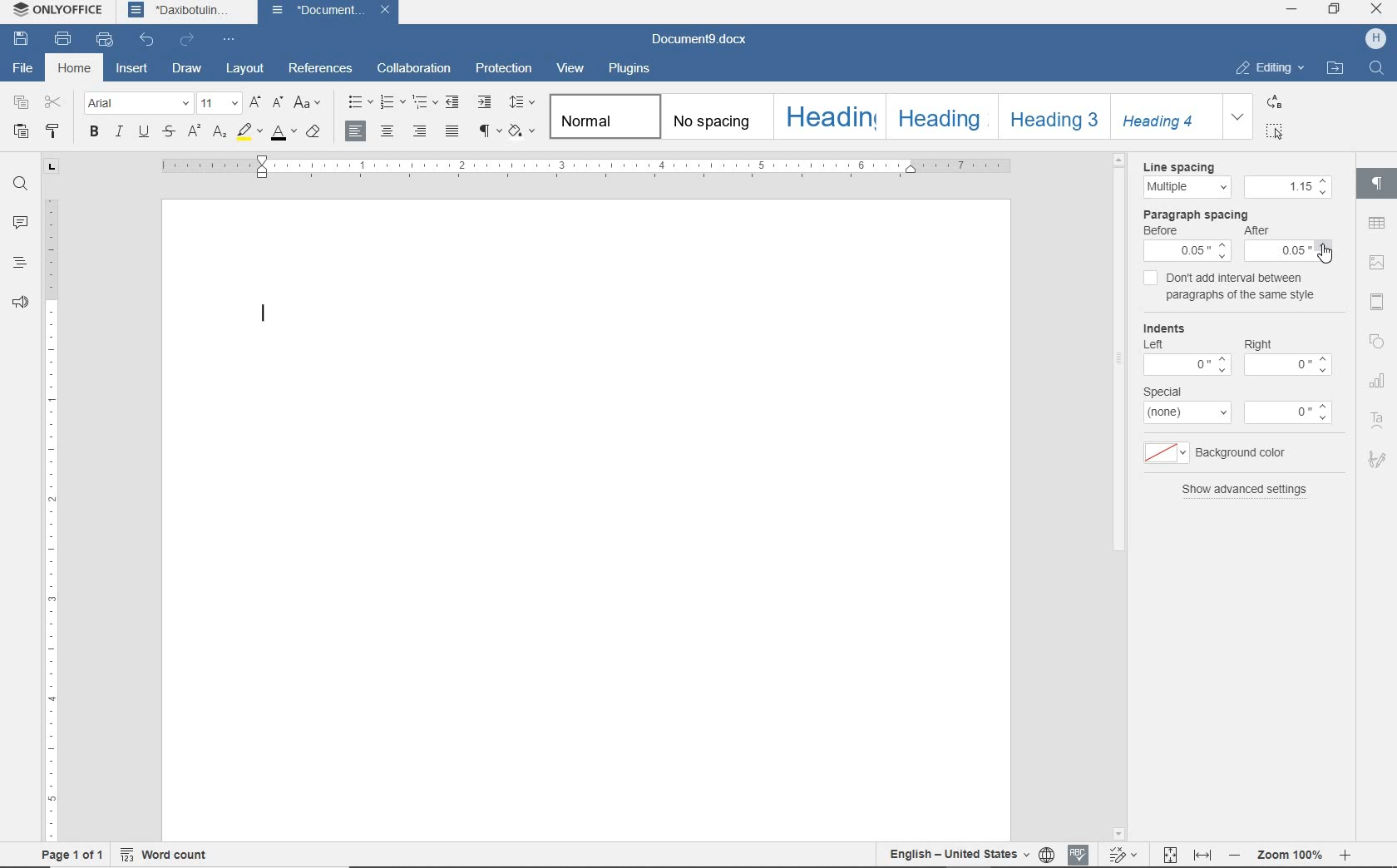 The height and width of the screenshot is (868, 1397). Describe the element at coordinates (1047, 856) in the screenshot. I see `set document language` at that location.